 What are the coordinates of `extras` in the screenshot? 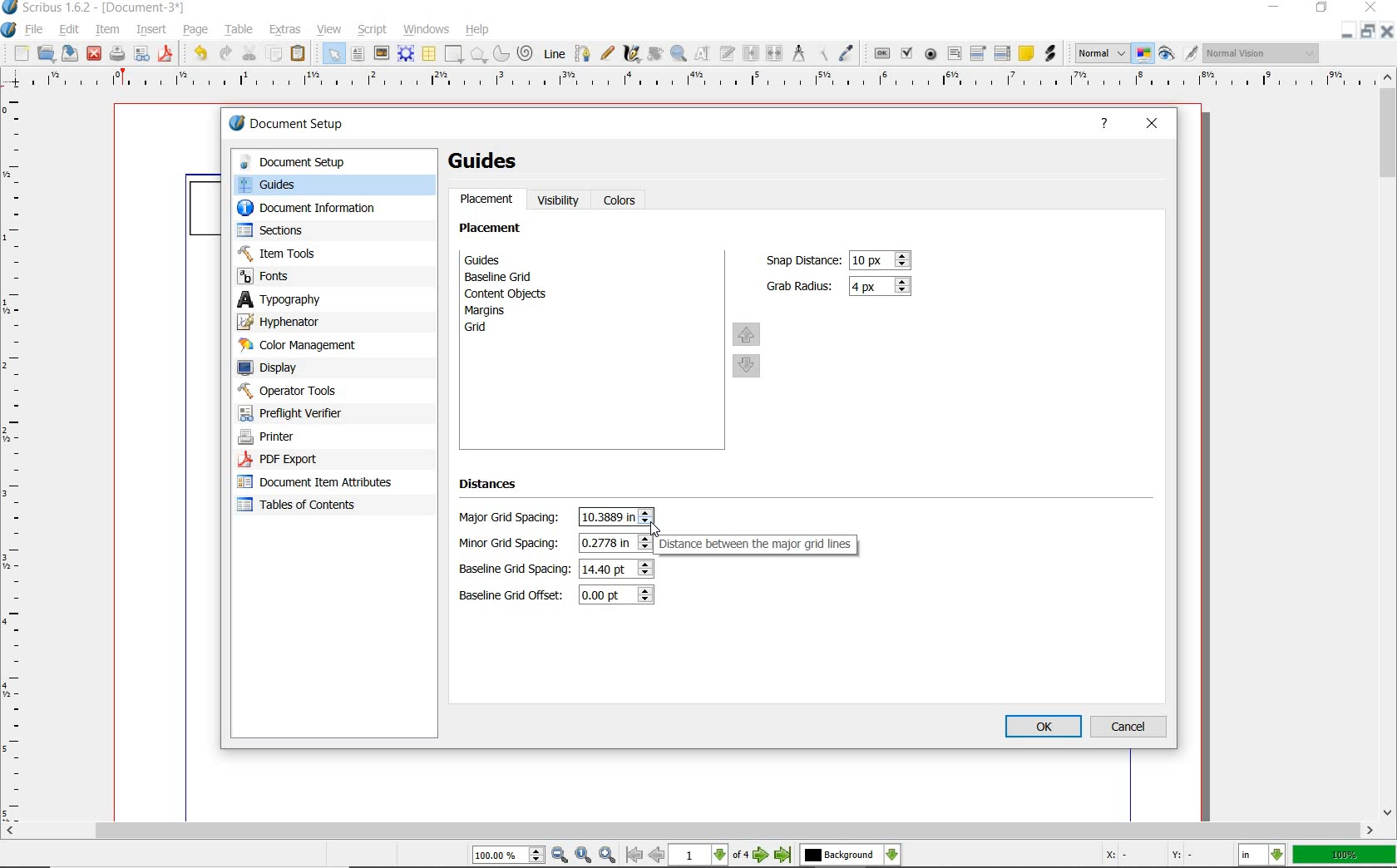 It's located at (287, 28).